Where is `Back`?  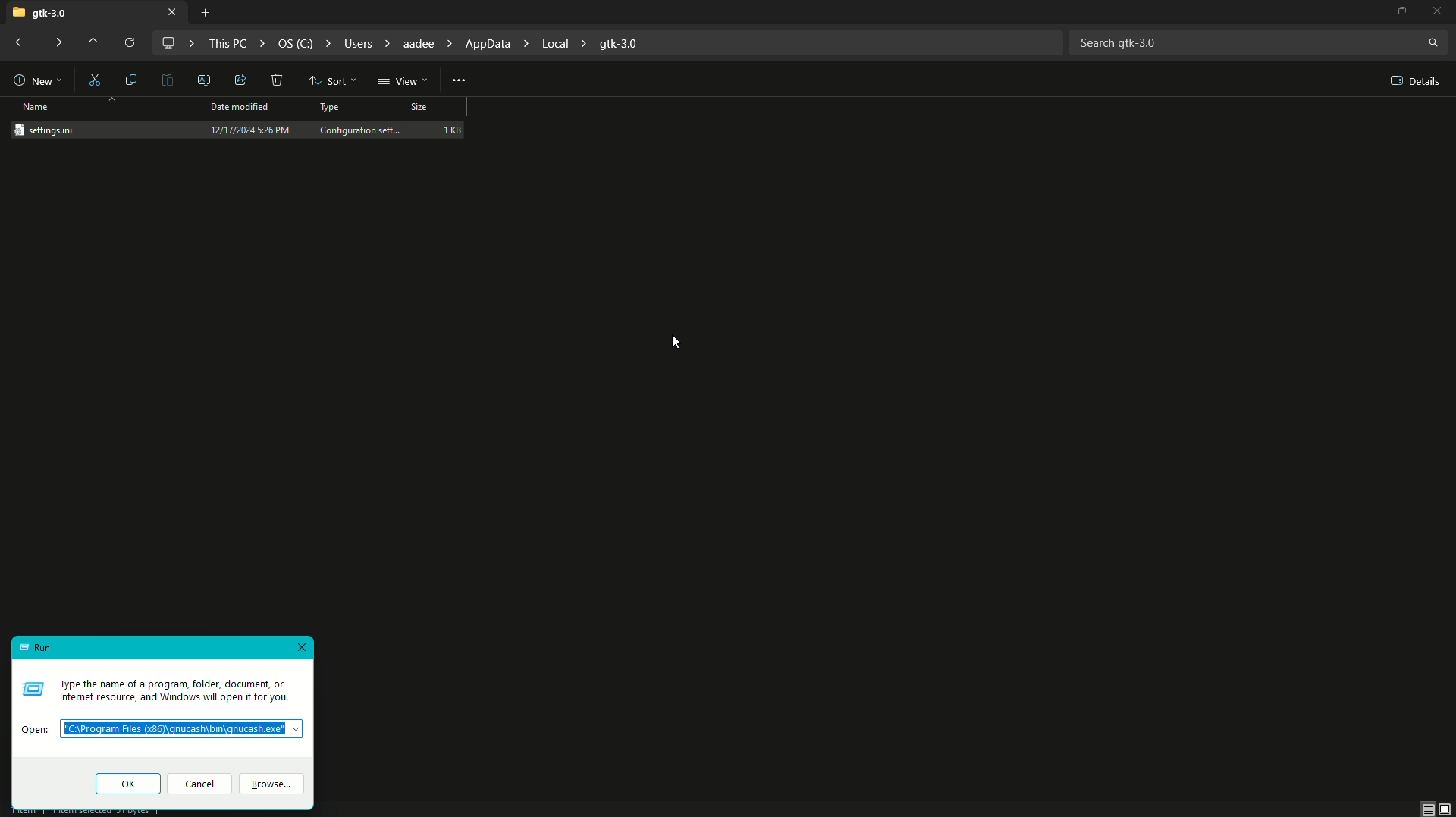
Back is located at coordinates (17, 44).